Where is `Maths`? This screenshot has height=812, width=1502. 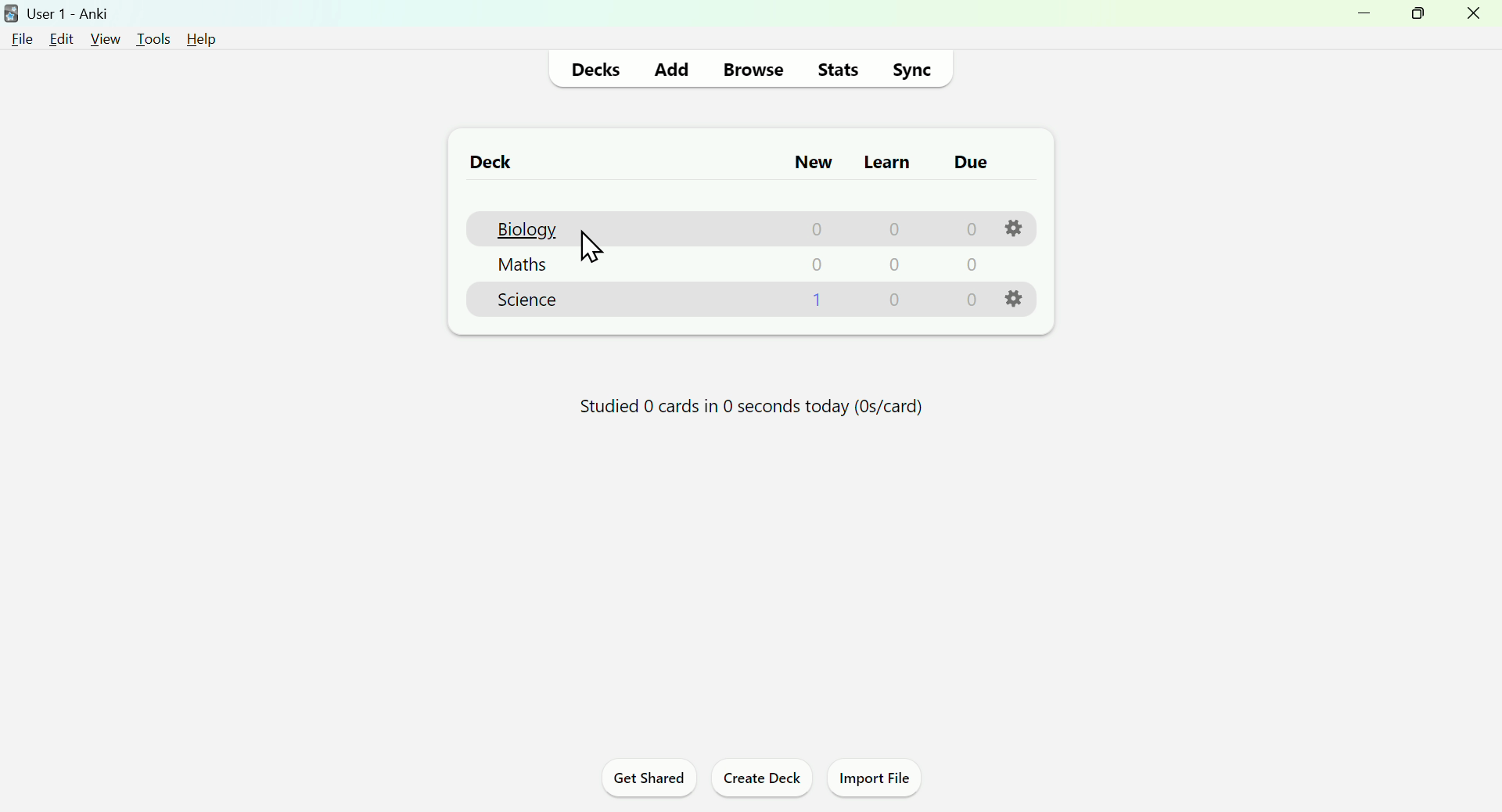 Maths is located at coordinates (521, 267).